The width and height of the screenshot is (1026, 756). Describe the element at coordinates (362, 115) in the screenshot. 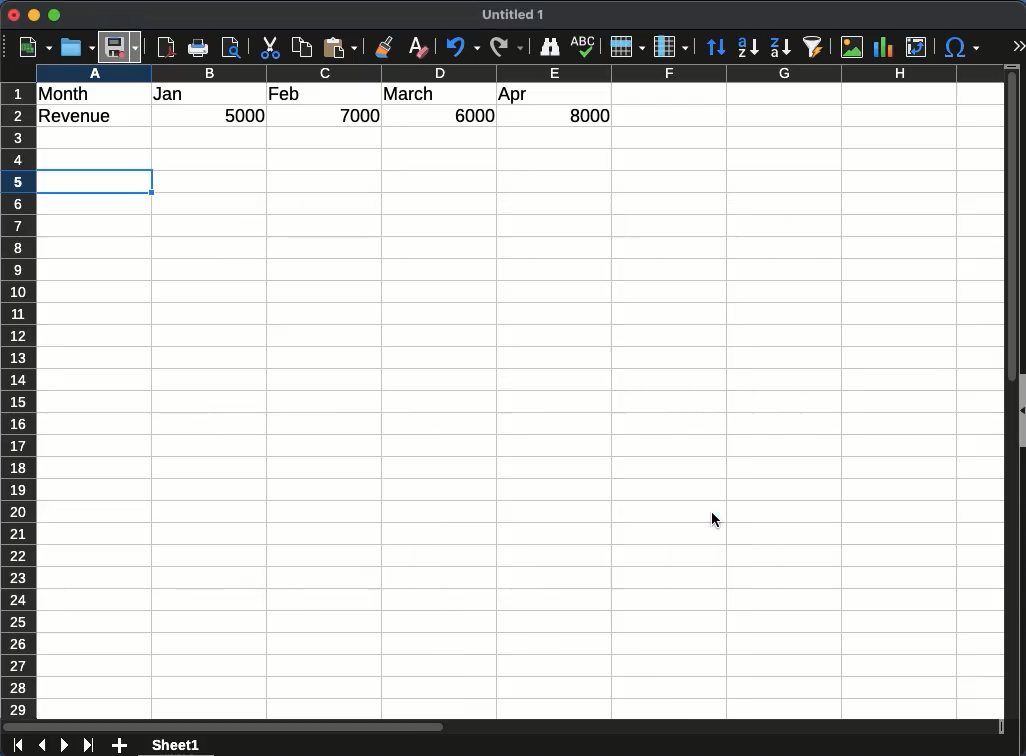

I see `7000` at that location.